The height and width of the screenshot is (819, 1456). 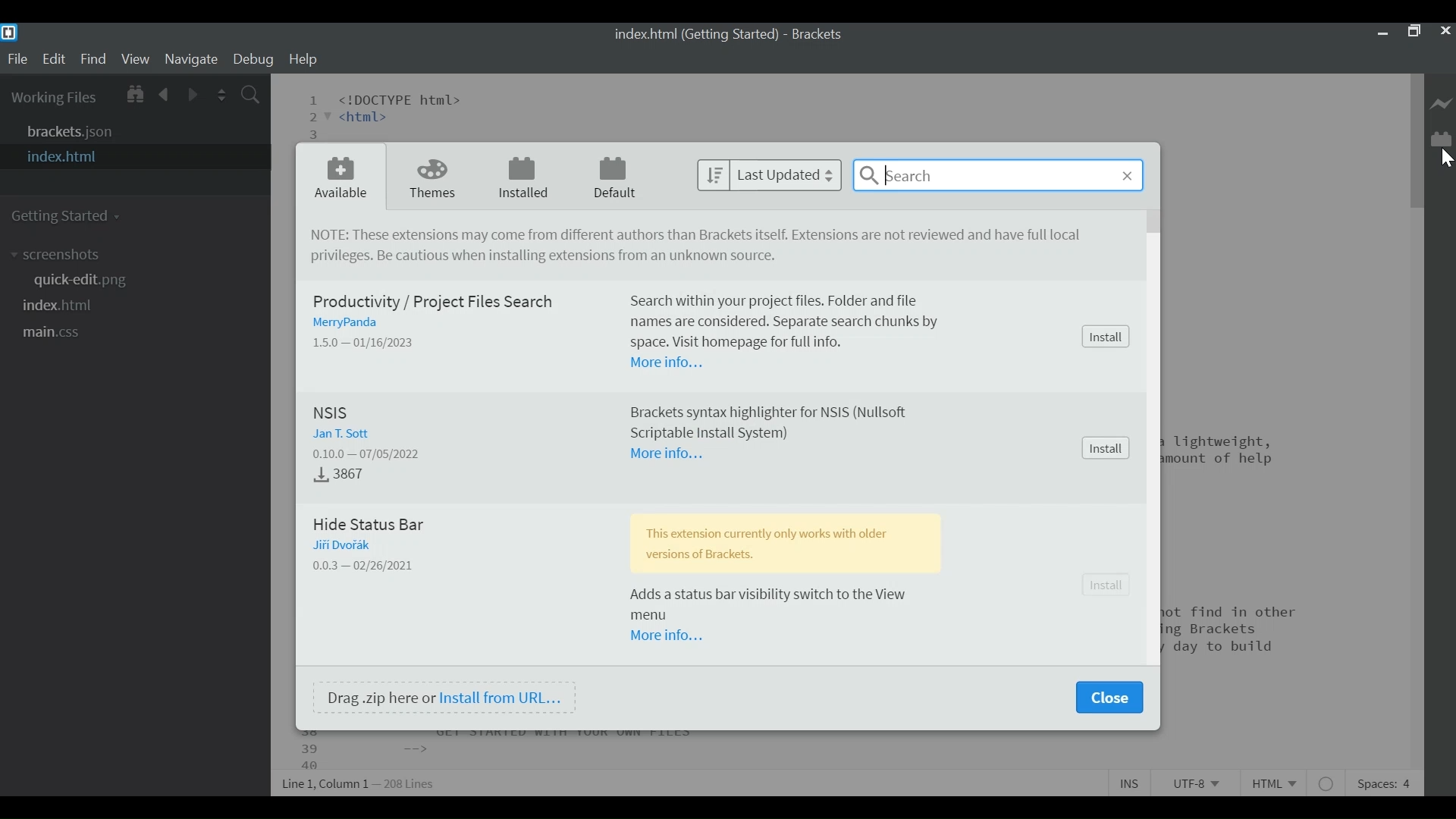 I want to click on Live Preview, so click(x=1440, y=101).